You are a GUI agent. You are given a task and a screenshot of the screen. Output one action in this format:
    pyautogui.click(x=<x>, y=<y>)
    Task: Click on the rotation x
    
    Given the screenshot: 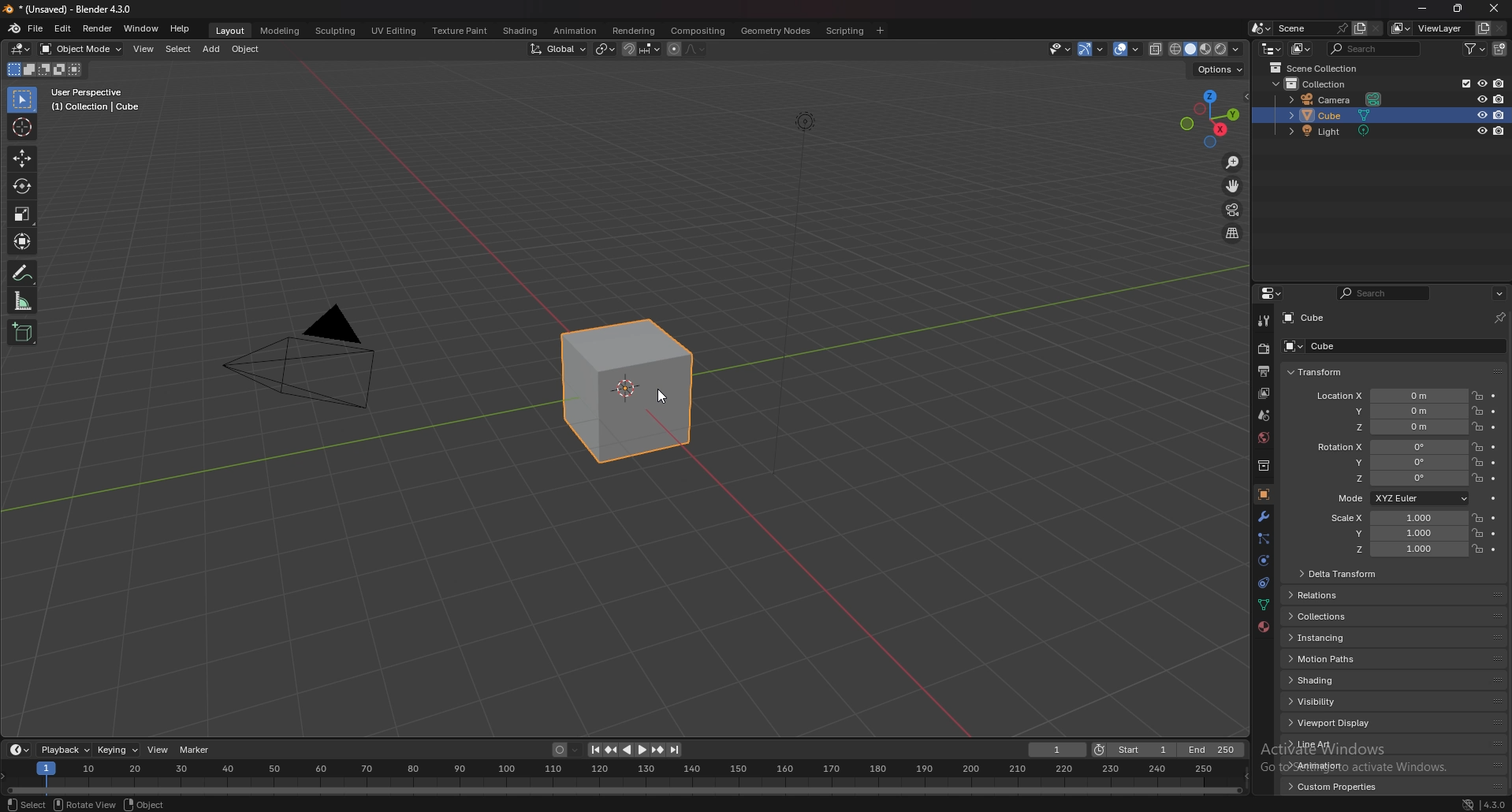 What is the action you would take?
    pyautogui.click(x=1387, y=449)
    